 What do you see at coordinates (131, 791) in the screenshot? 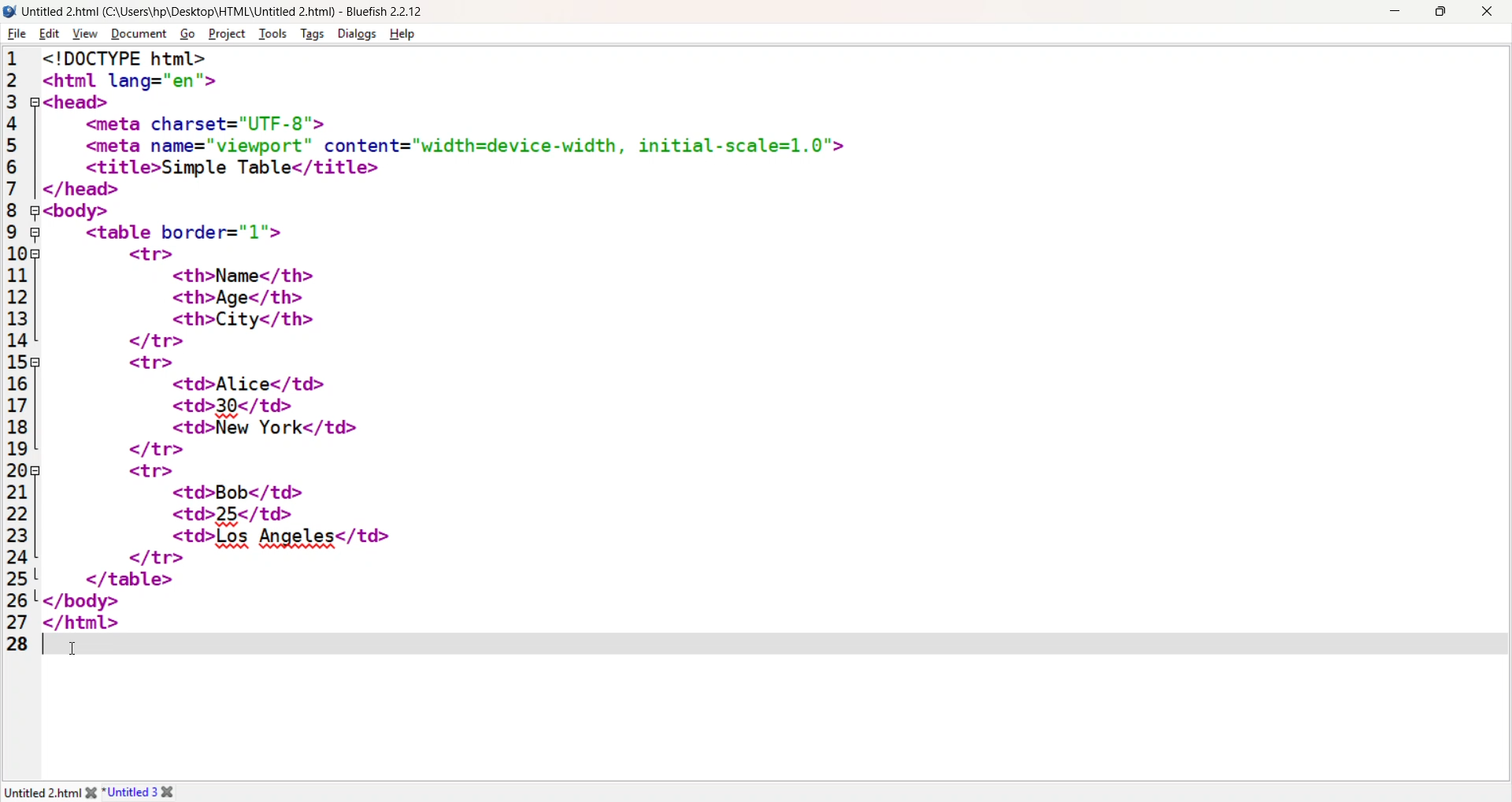
I see `Untitled 3` at bounding box center [131, 791].